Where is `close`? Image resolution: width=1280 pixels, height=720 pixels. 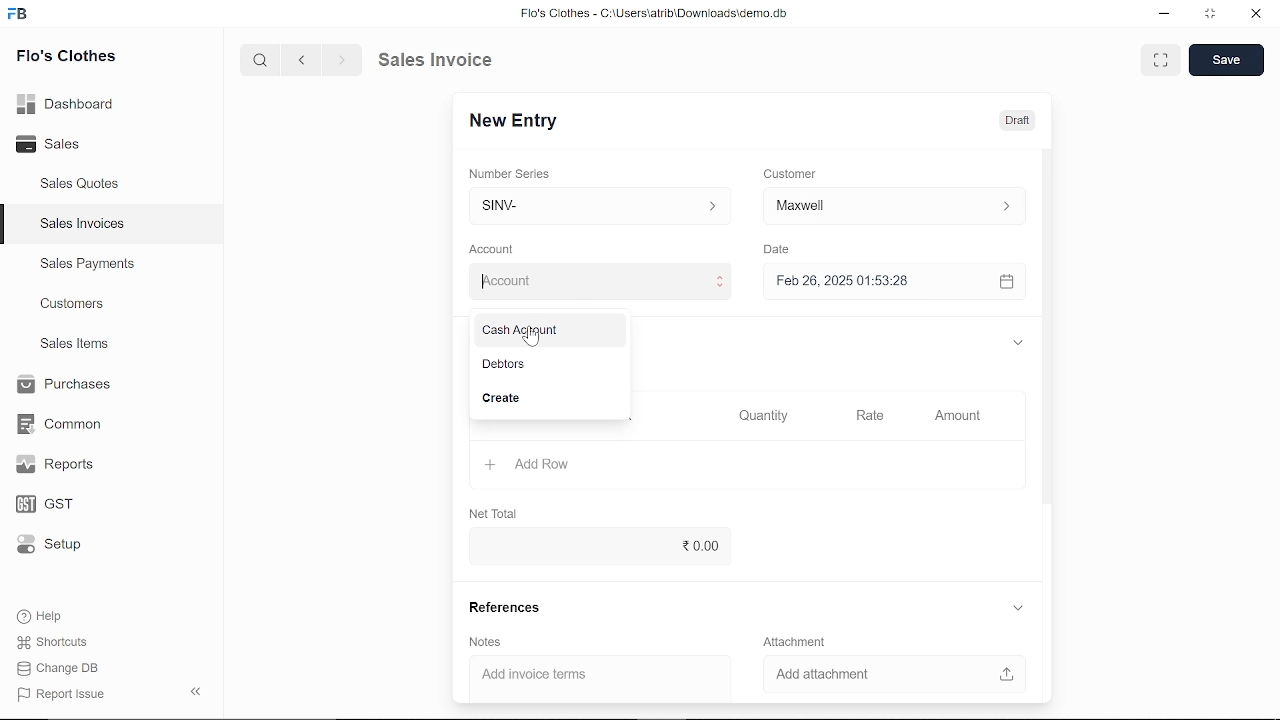 close is located at coordinates (1254, 15).